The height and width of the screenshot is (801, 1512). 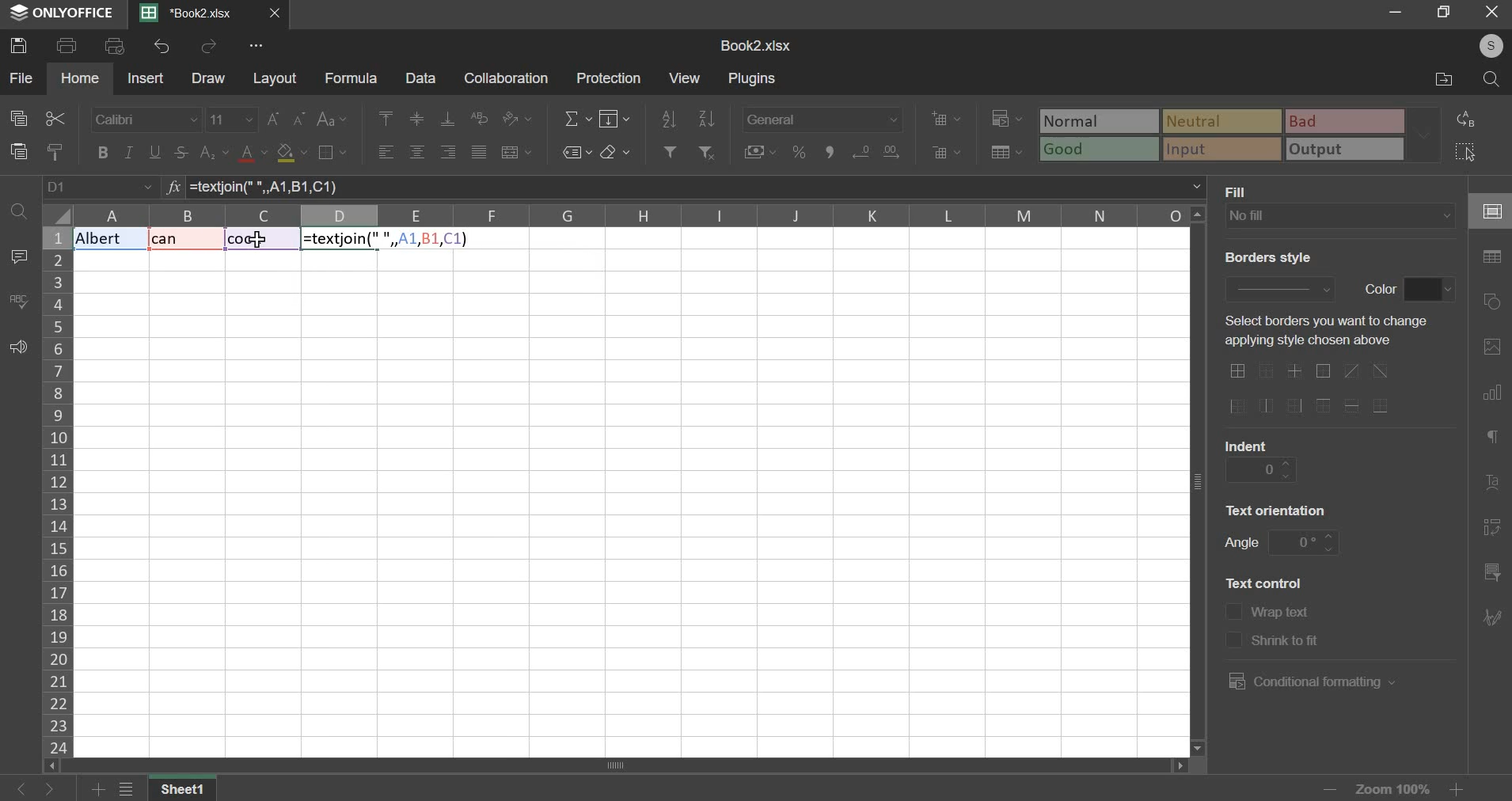 What do you see at coordinates (1391, 787) in the screenshot?
I see `zoom` at bounding box center [1391, 787].